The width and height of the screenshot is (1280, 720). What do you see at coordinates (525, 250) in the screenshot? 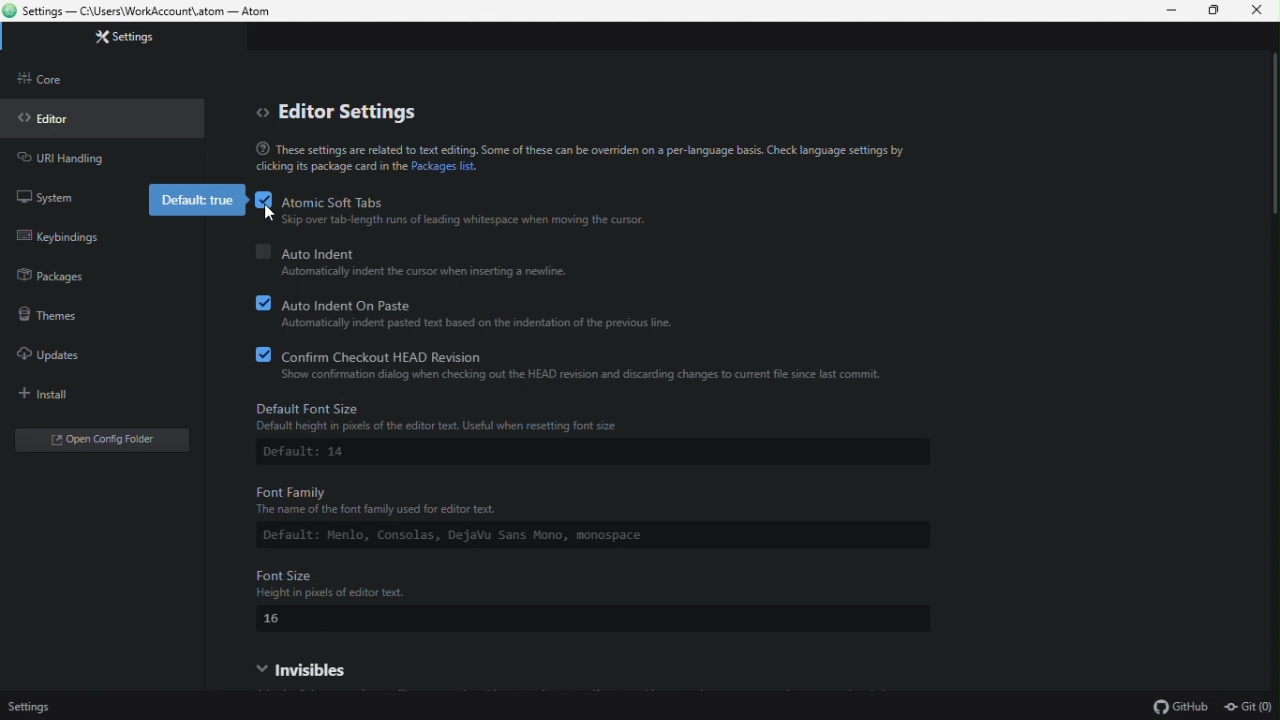
I see `Auto indent ` at bounding box center [525, 250].